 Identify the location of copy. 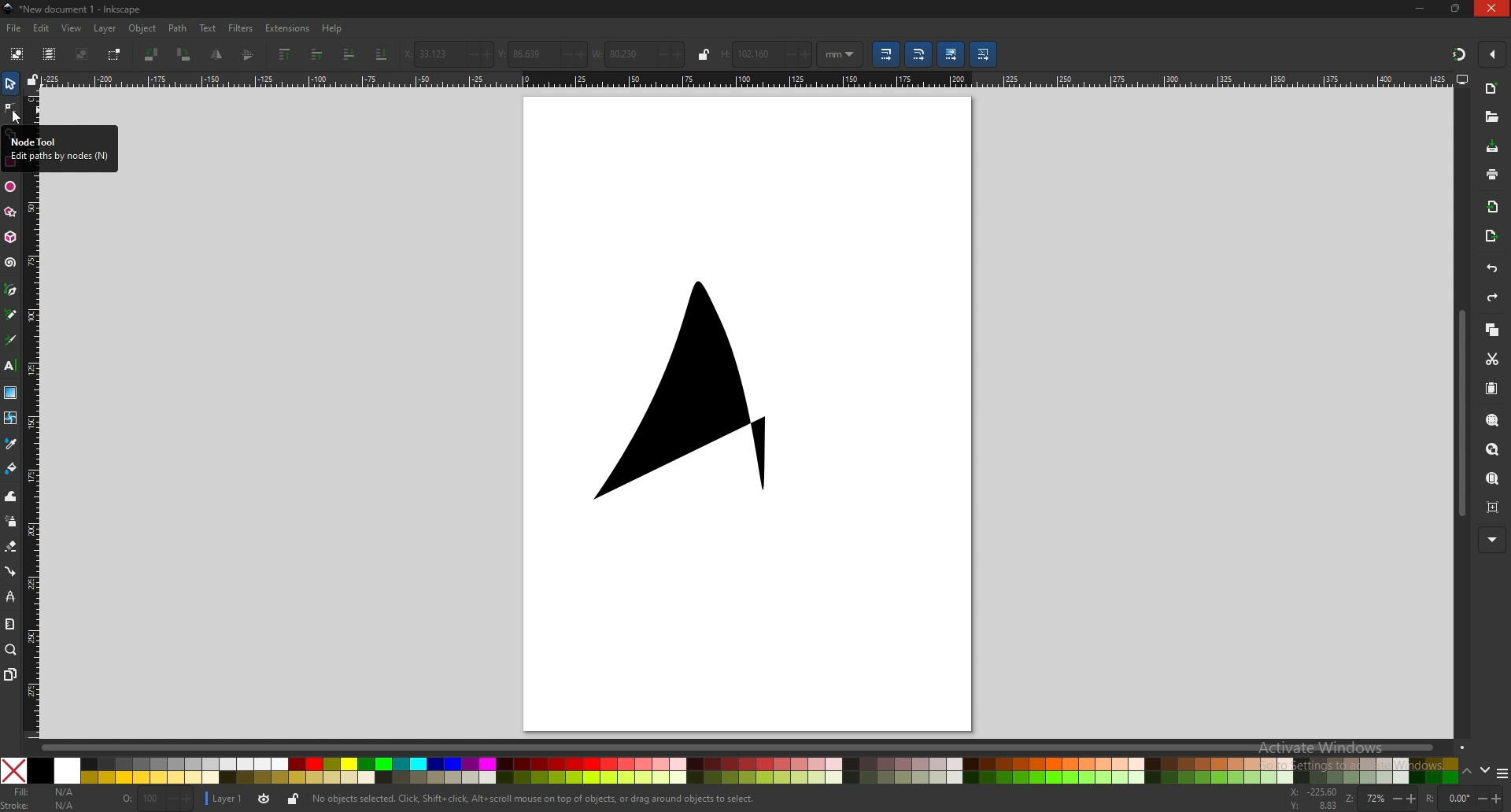
(1492, 330).